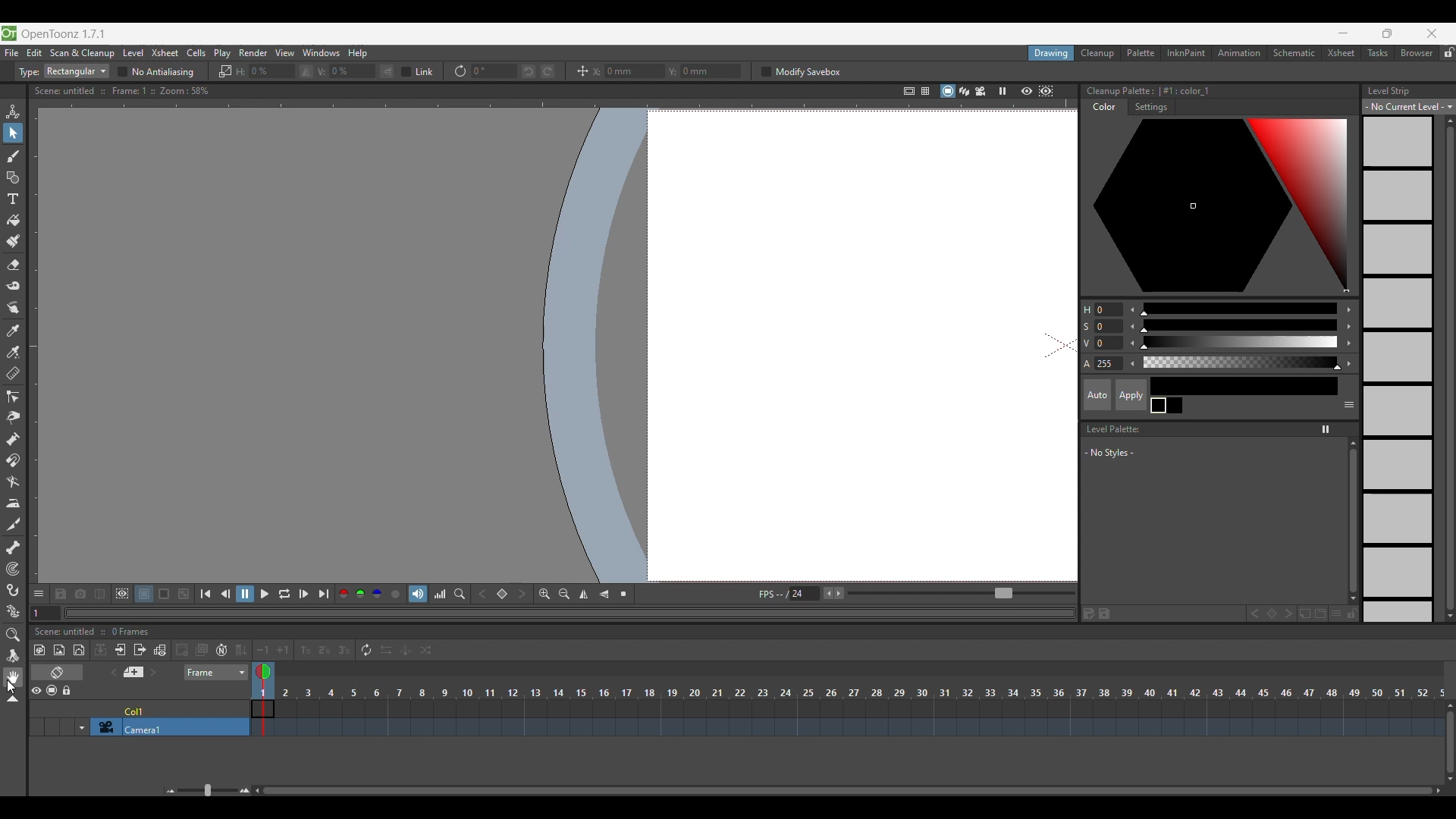  What do you see at coordinates (196, 53) in the screenshot?
I see `Cells` at bounding box center [196, 53].